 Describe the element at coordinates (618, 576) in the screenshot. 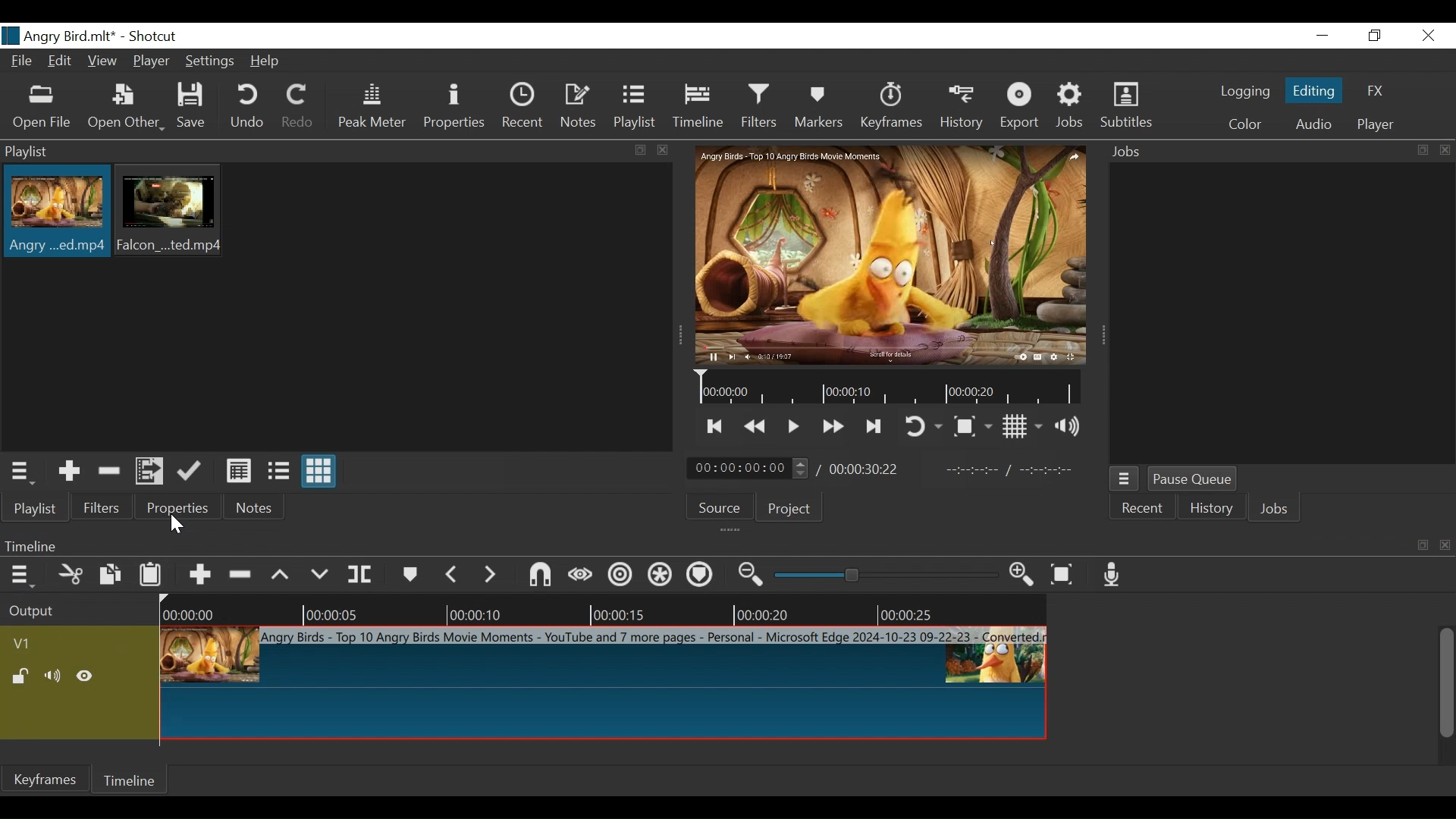

I see `Ripple` at that location.